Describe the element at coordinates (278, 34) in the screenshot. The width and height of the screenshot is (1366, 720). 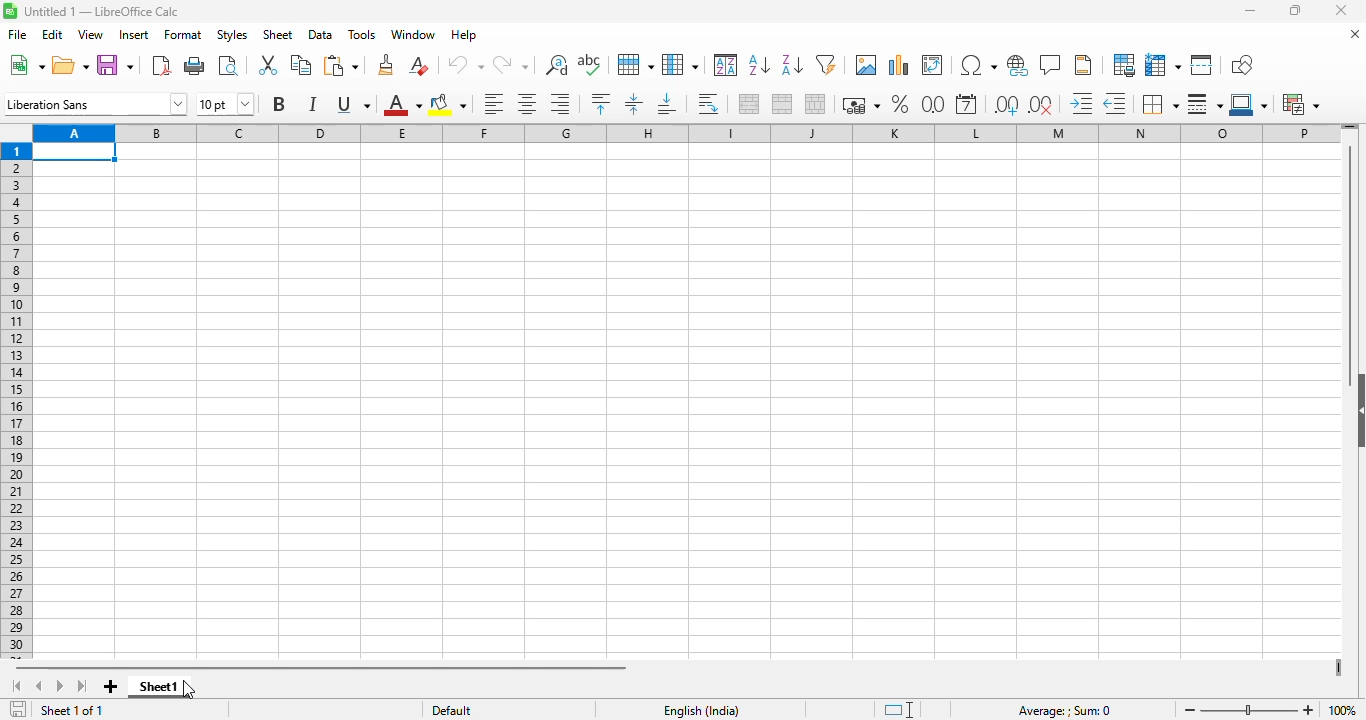
I see `sheet` at that location.